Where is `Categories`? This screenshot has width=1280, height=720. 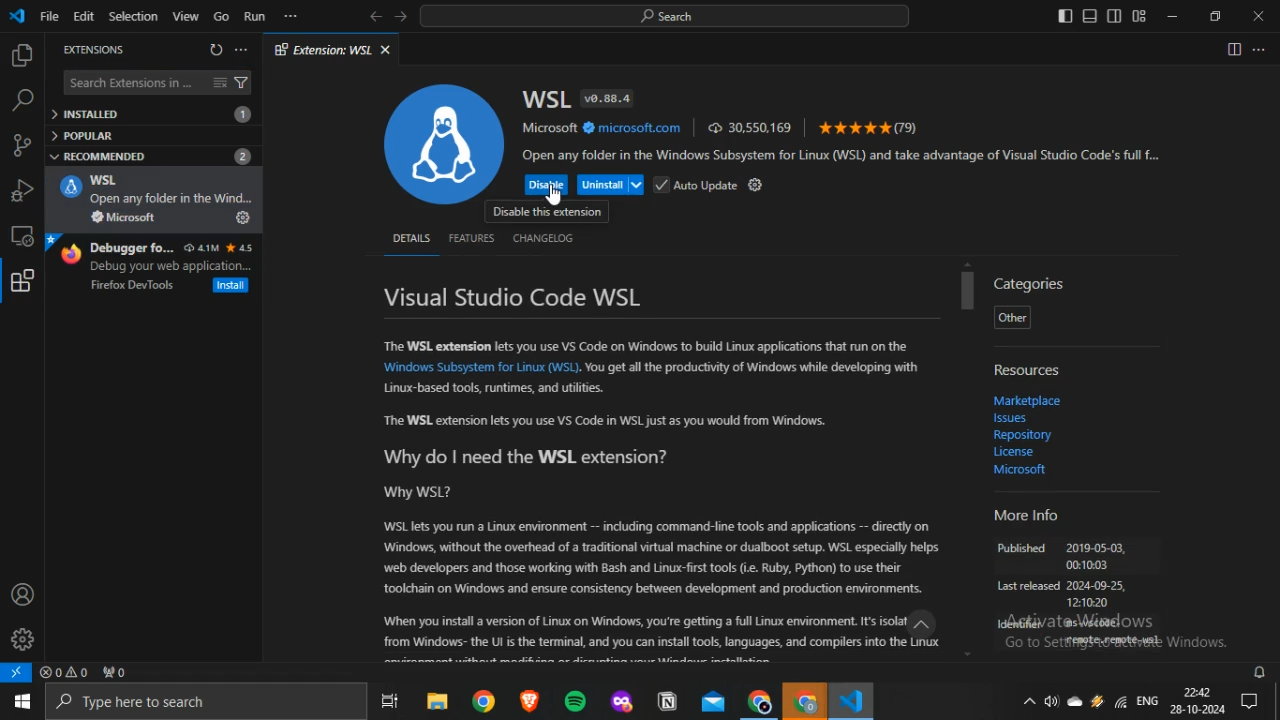
Categories is located at coordinates (1031, 283).